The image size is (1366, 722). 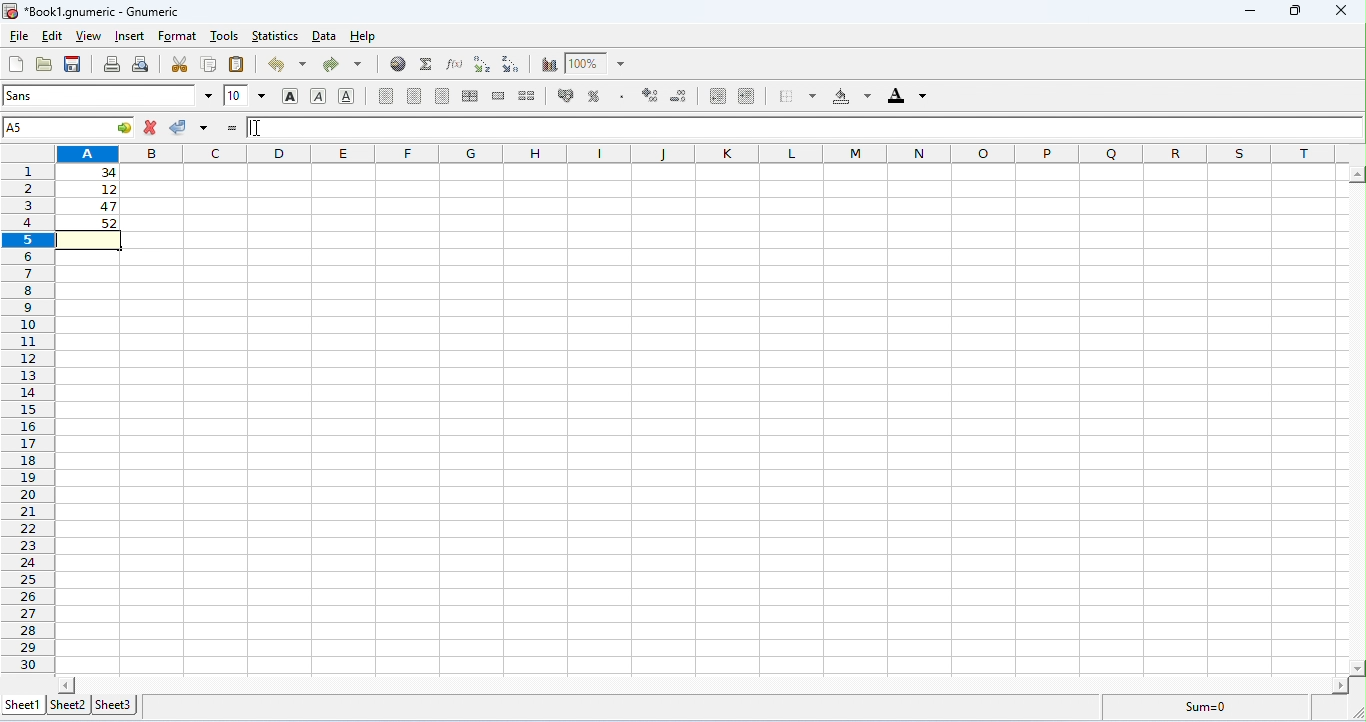 I want to click on italics, so click(x=318, y=96).